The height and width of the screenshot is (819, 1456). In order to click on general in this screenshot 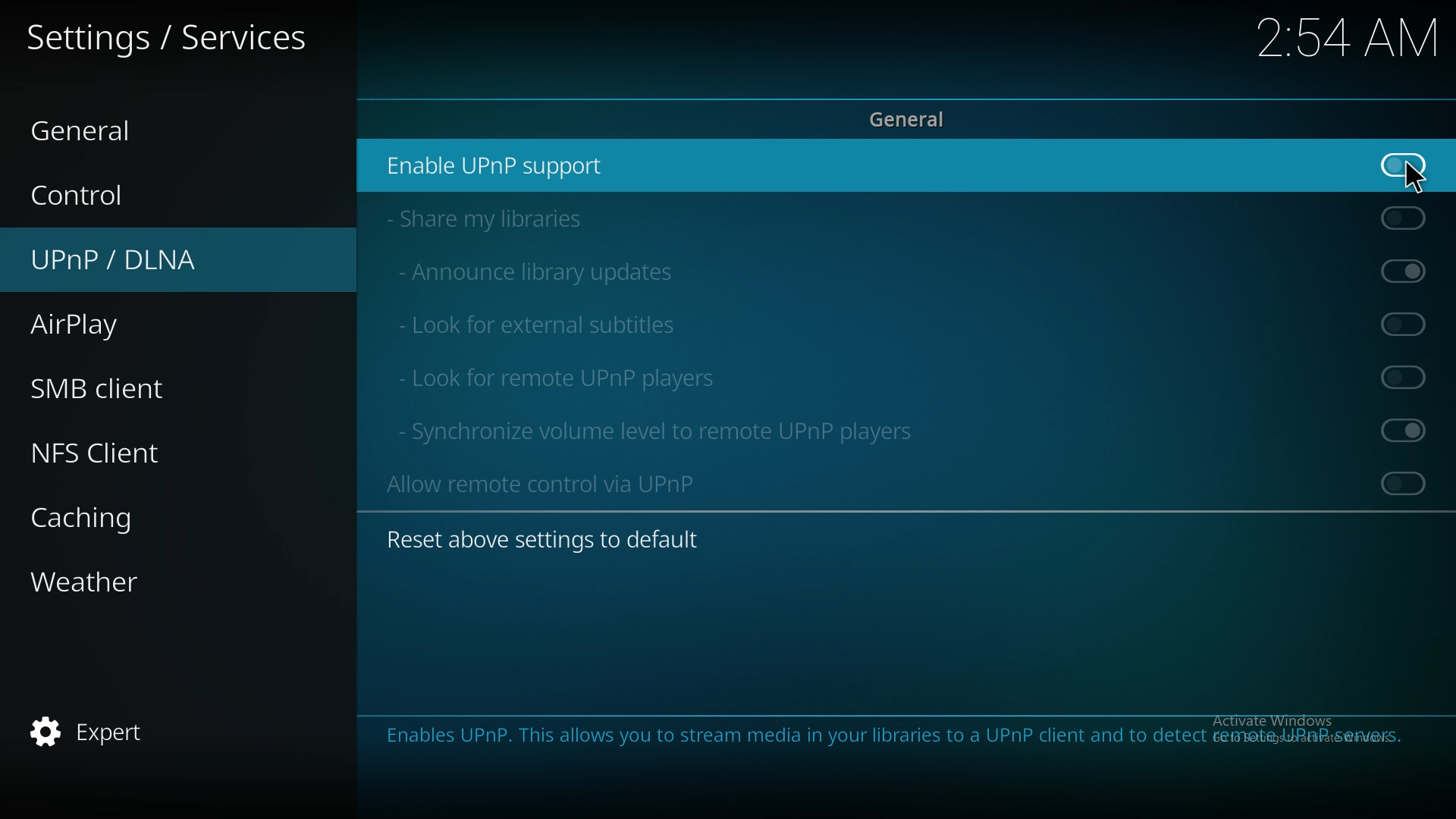, I will do `click(105, 127)`.